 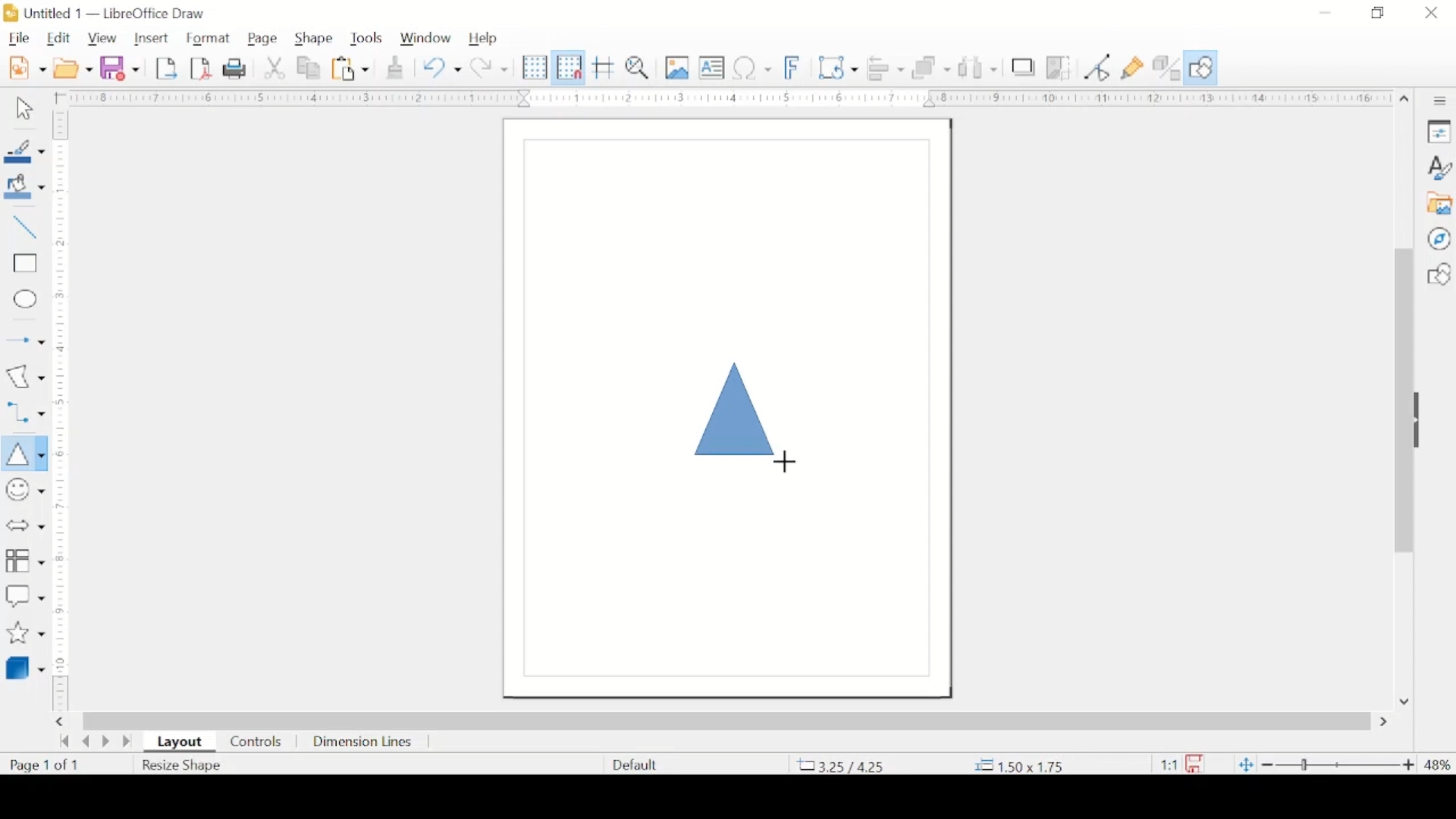 I want to click on zoom slider, so click(x=1338, y=765).